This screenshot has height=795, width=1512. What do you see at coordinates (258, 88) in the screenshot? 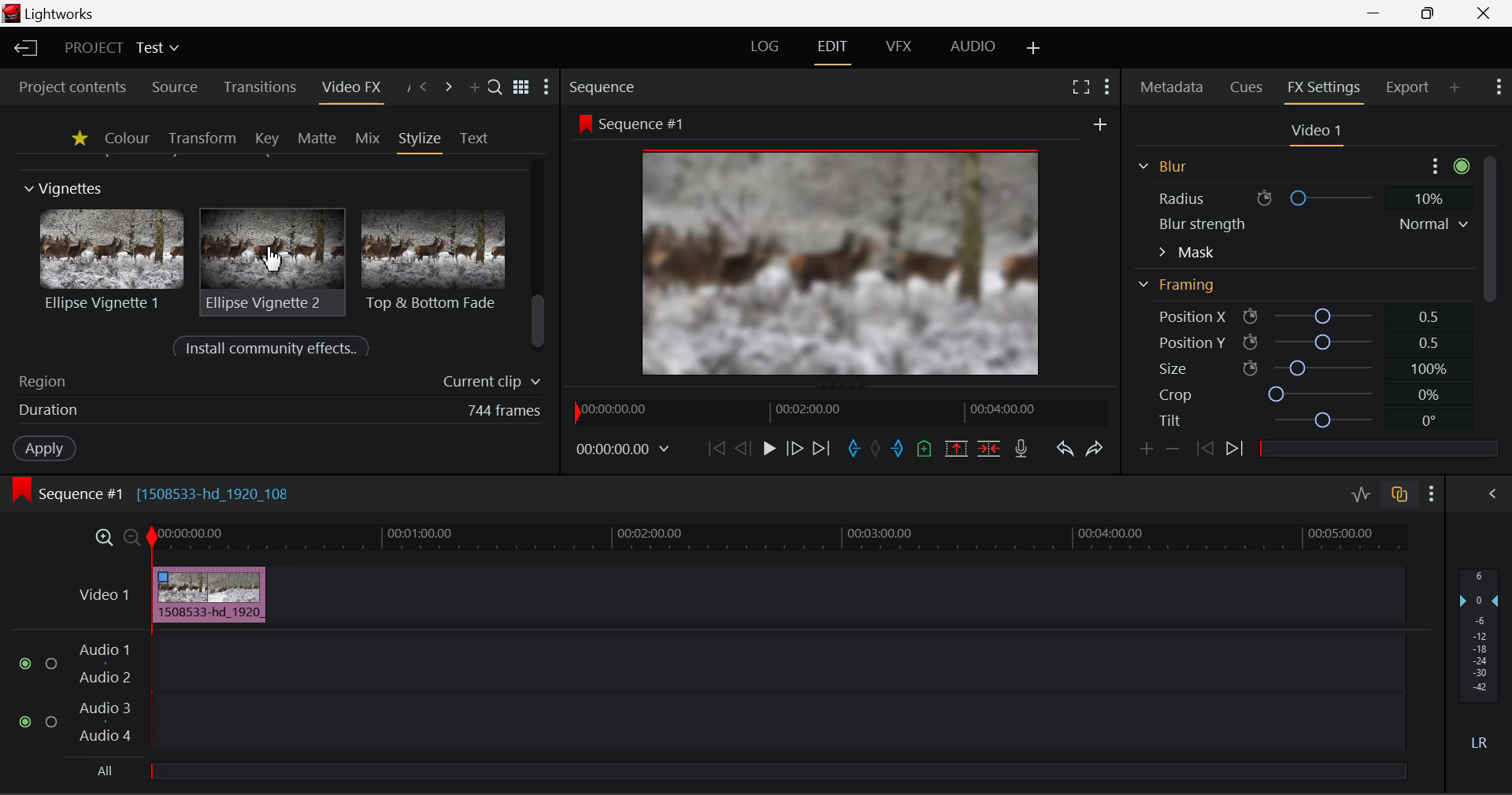
I see `Transitions` at bounding box center [258, 88].